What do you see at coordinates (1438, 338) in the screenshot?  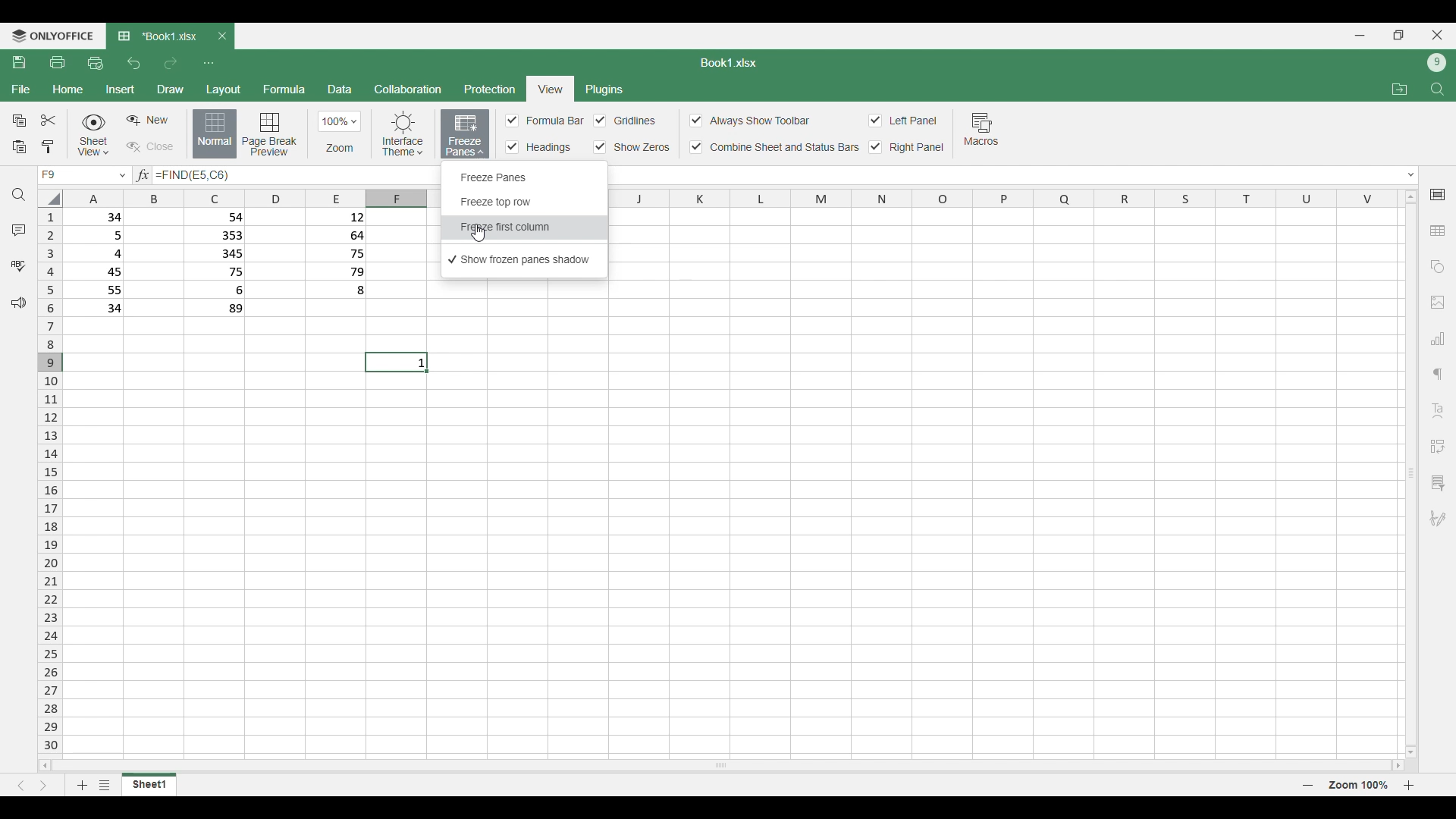 I see `Add chart` at bounding box center [1438, 338].